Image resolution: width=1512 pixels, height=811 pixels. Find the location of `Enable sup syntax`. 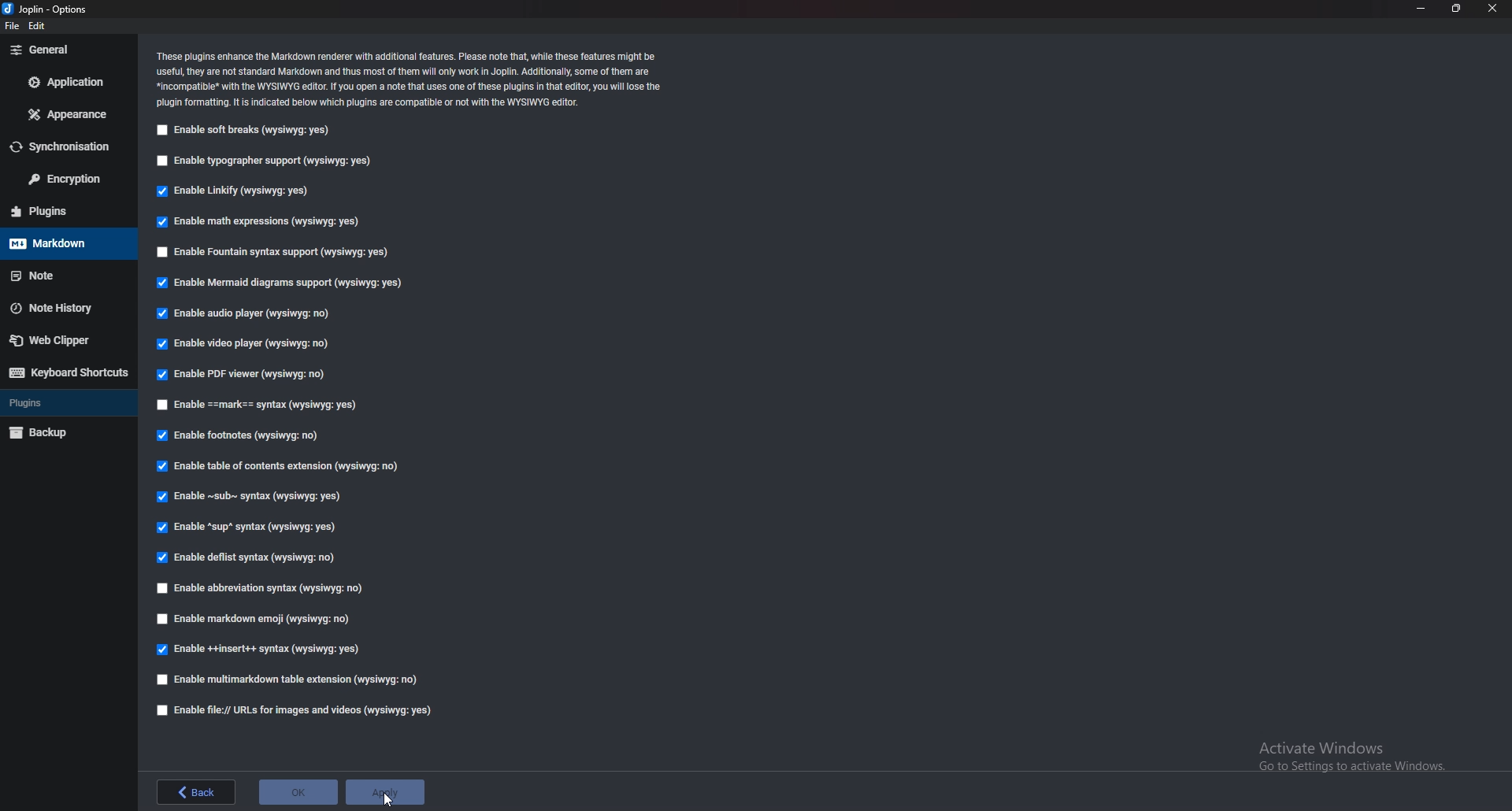

Enable sup syntax is located at coordinates (249, 526).